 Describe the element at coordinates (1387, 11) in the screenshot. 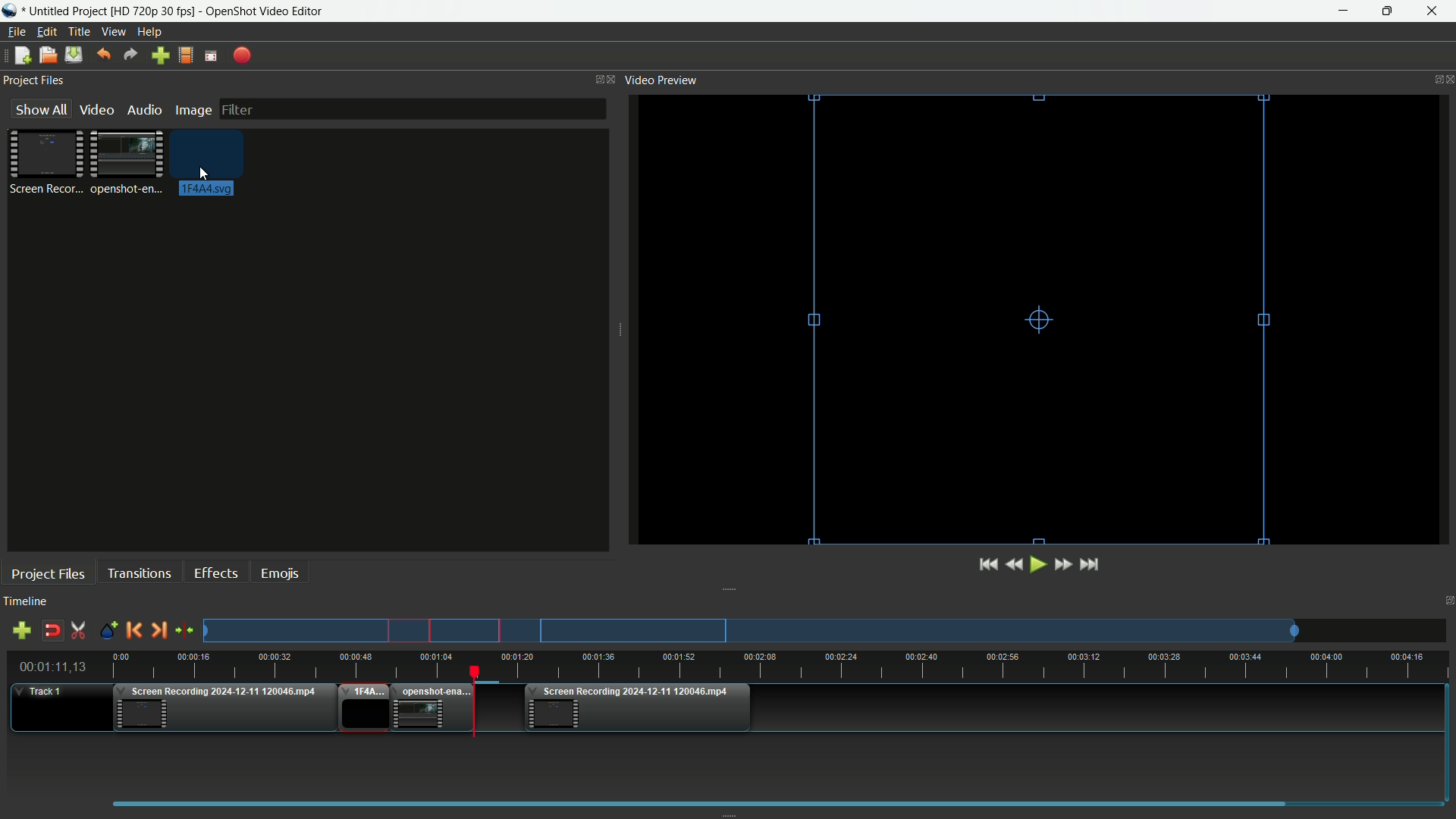

I see `maximize` at that location.